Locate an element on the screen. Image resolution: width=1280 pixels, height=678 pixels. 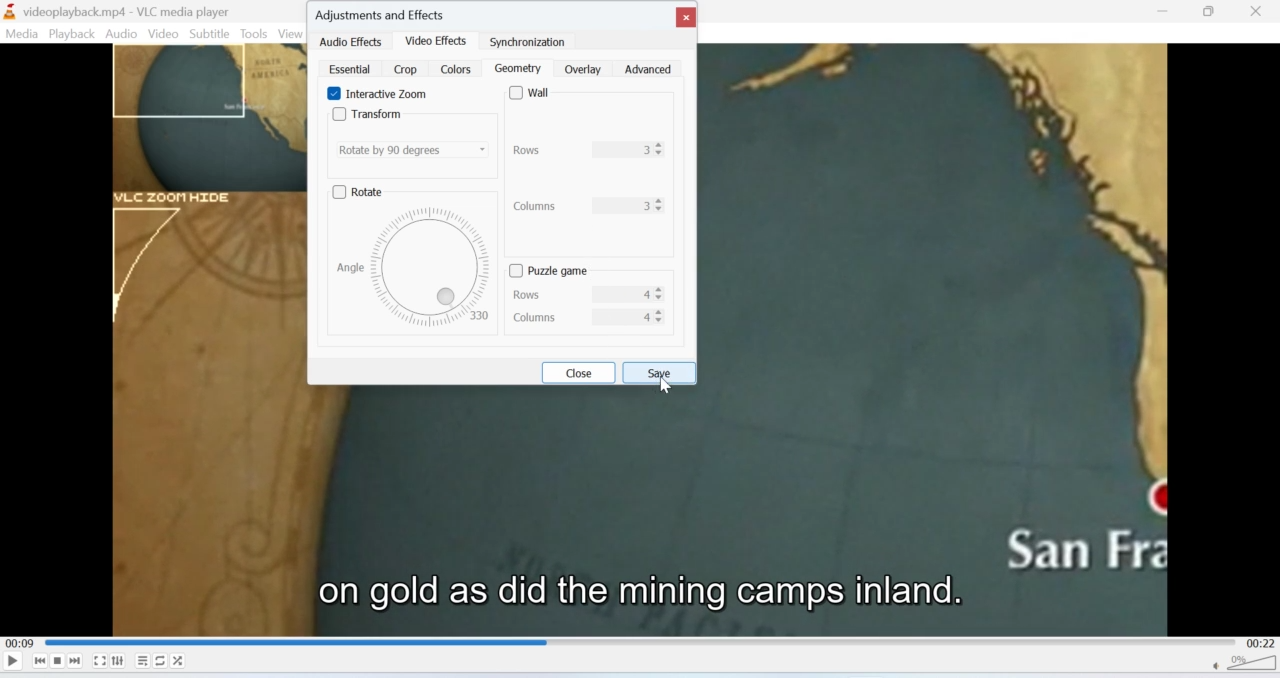
Playback is located at coordinates (70, 34).